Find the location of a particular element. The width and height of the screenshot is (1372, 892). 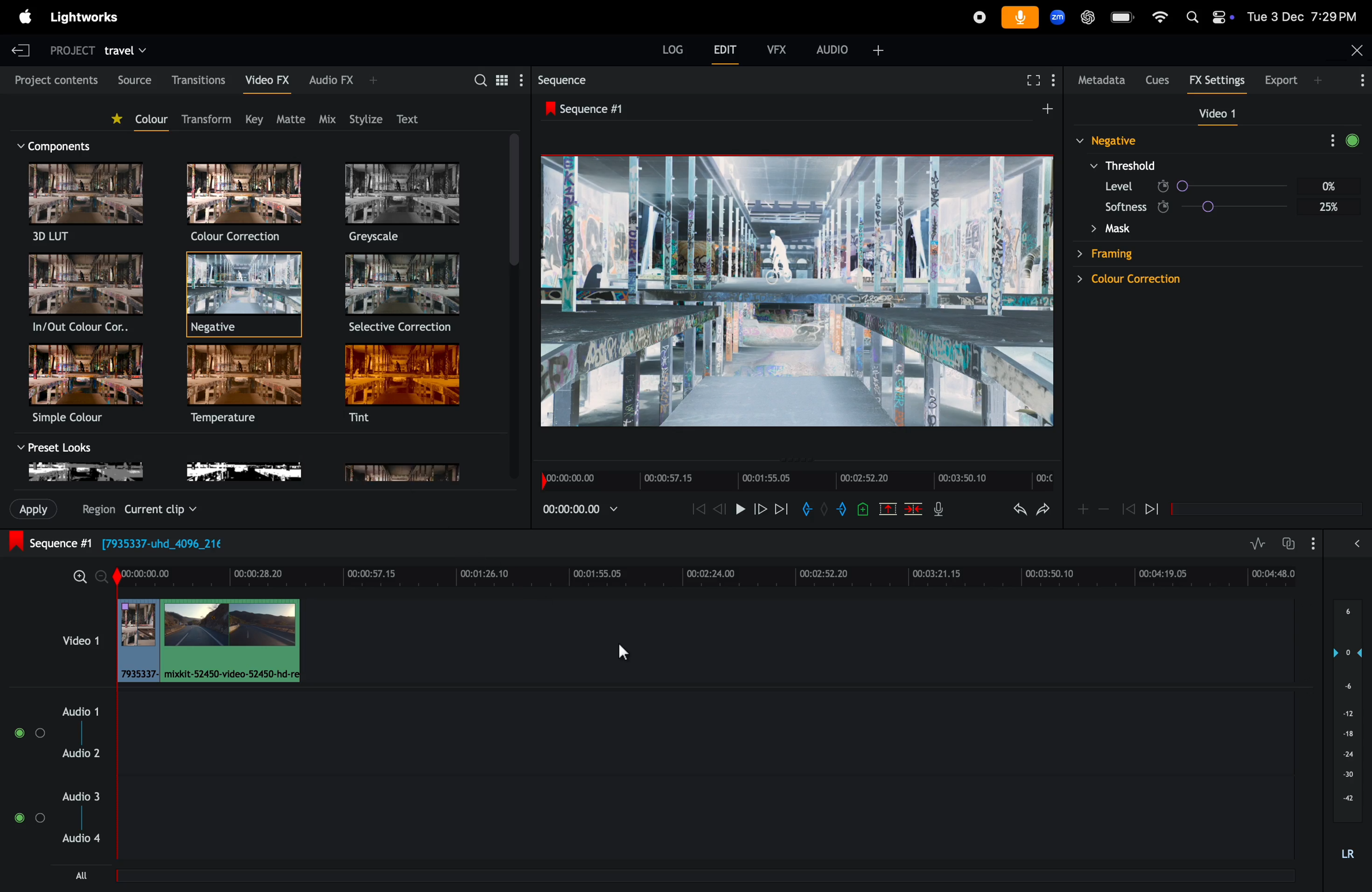

expand is located at coordinates (1354, 544).